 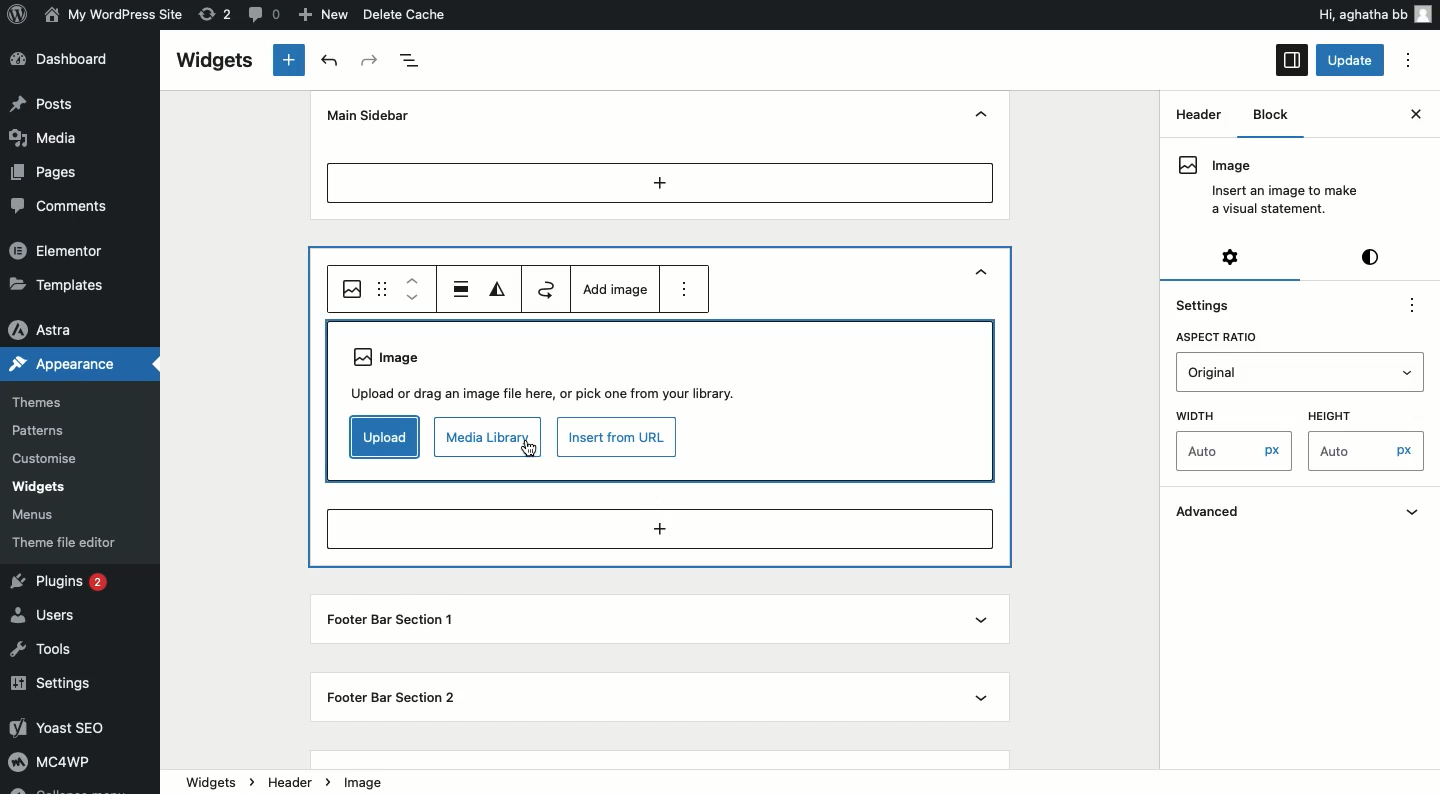 I want to click on Show, so click(x=979, y=621).